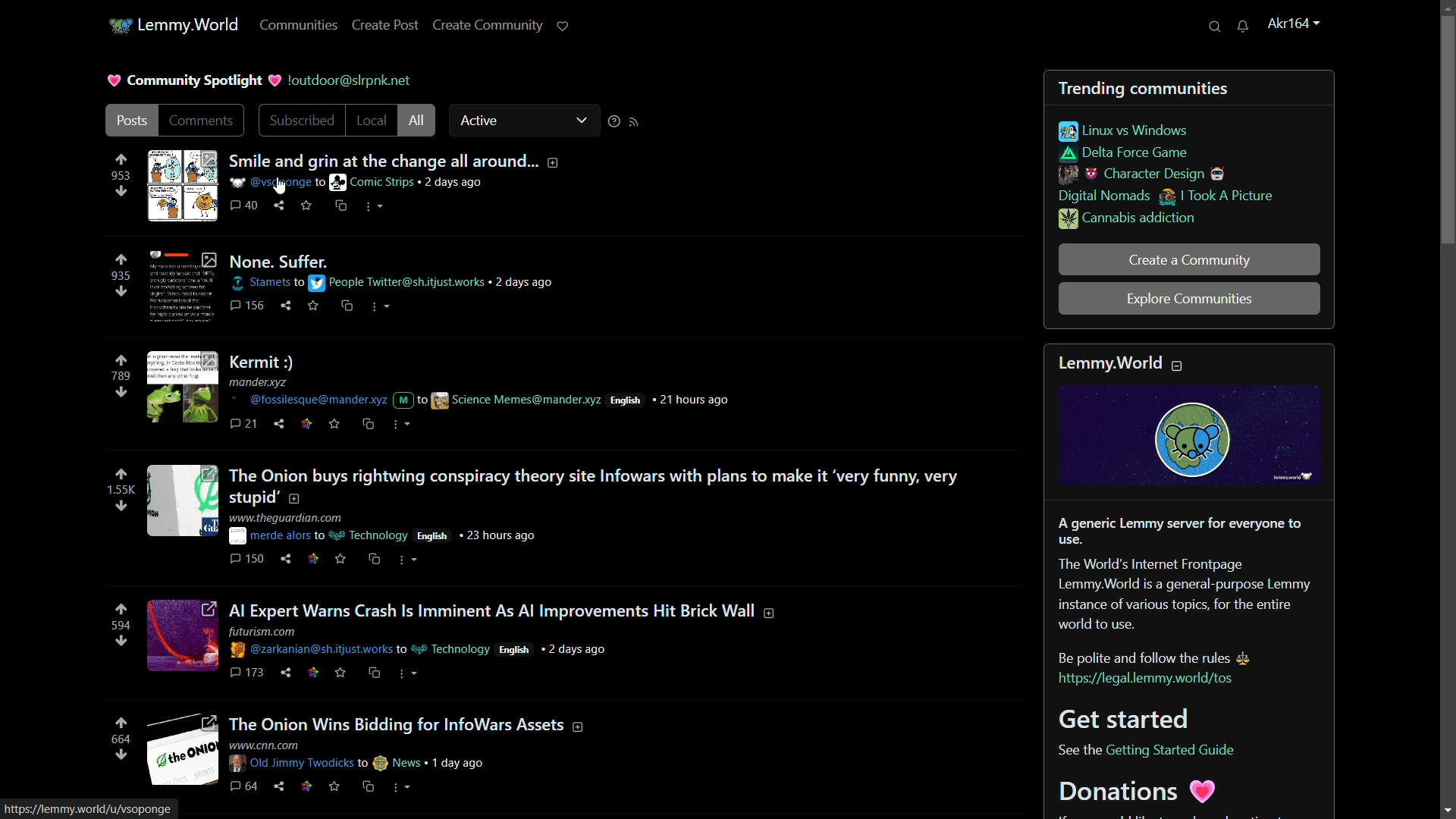  I want to click on number of votes, so click(121, 489).